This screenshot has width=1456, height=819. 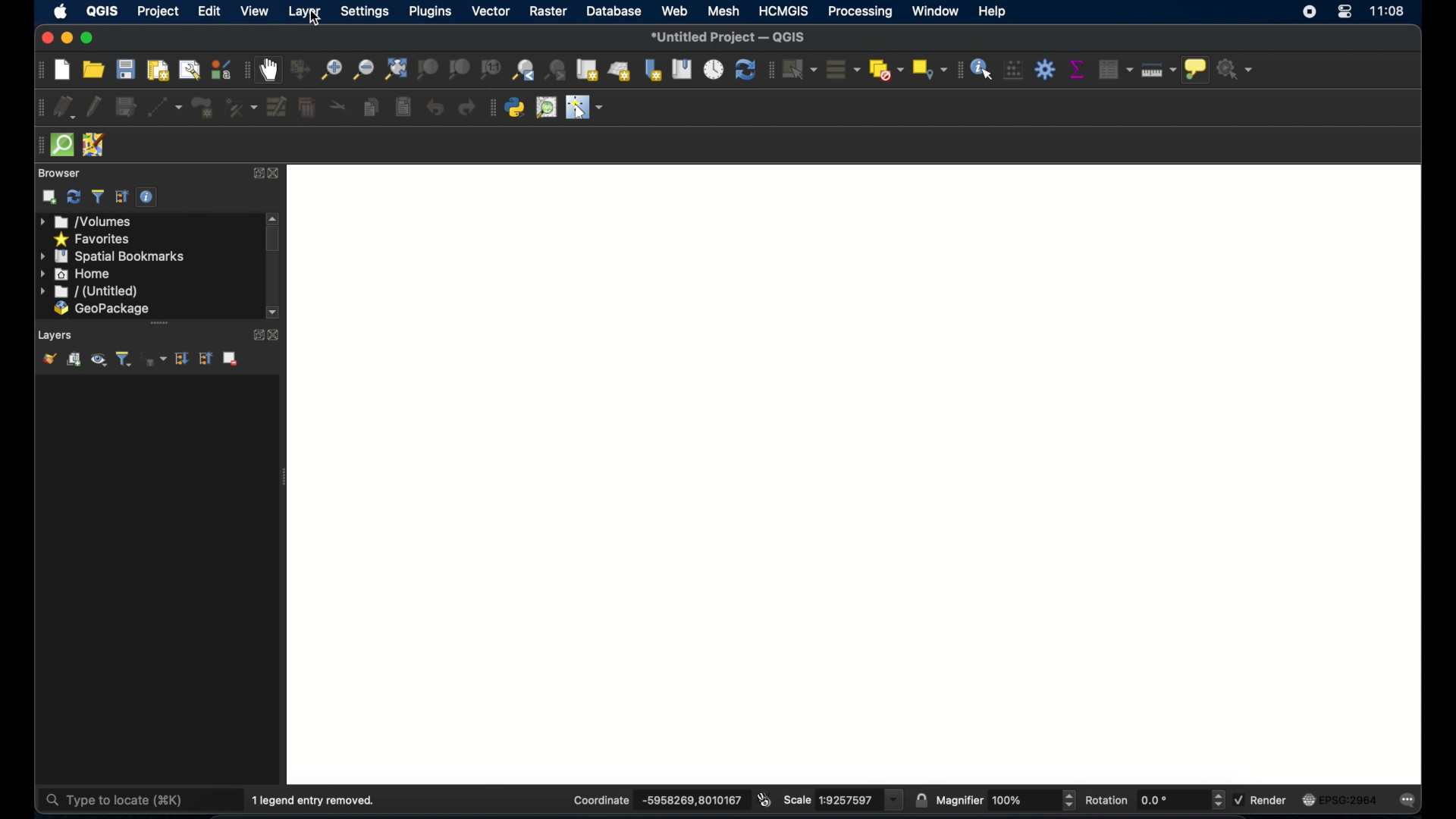 I want to click on render, so click(x=1272, y=801).